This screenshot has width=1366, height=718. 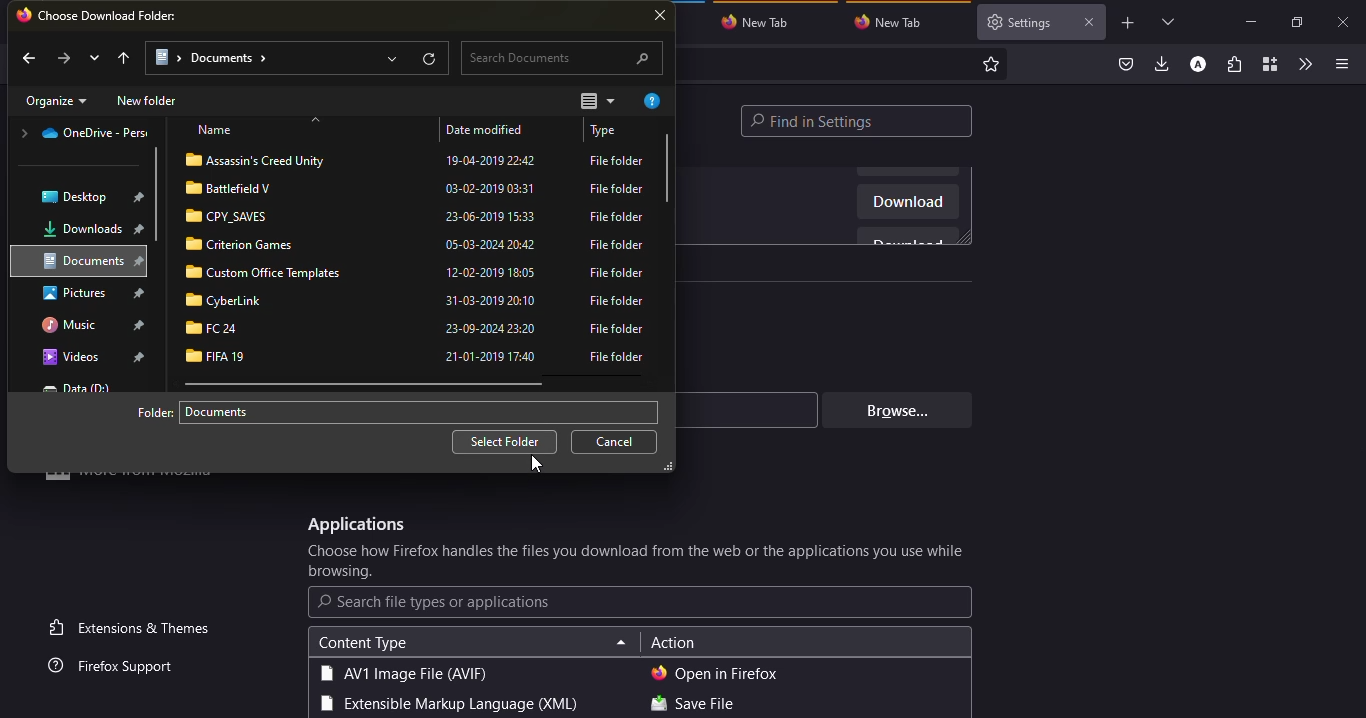 What do you see at coordinates (715, 673) in the screenshot?
I see `open` at bounding box center [715, 673].